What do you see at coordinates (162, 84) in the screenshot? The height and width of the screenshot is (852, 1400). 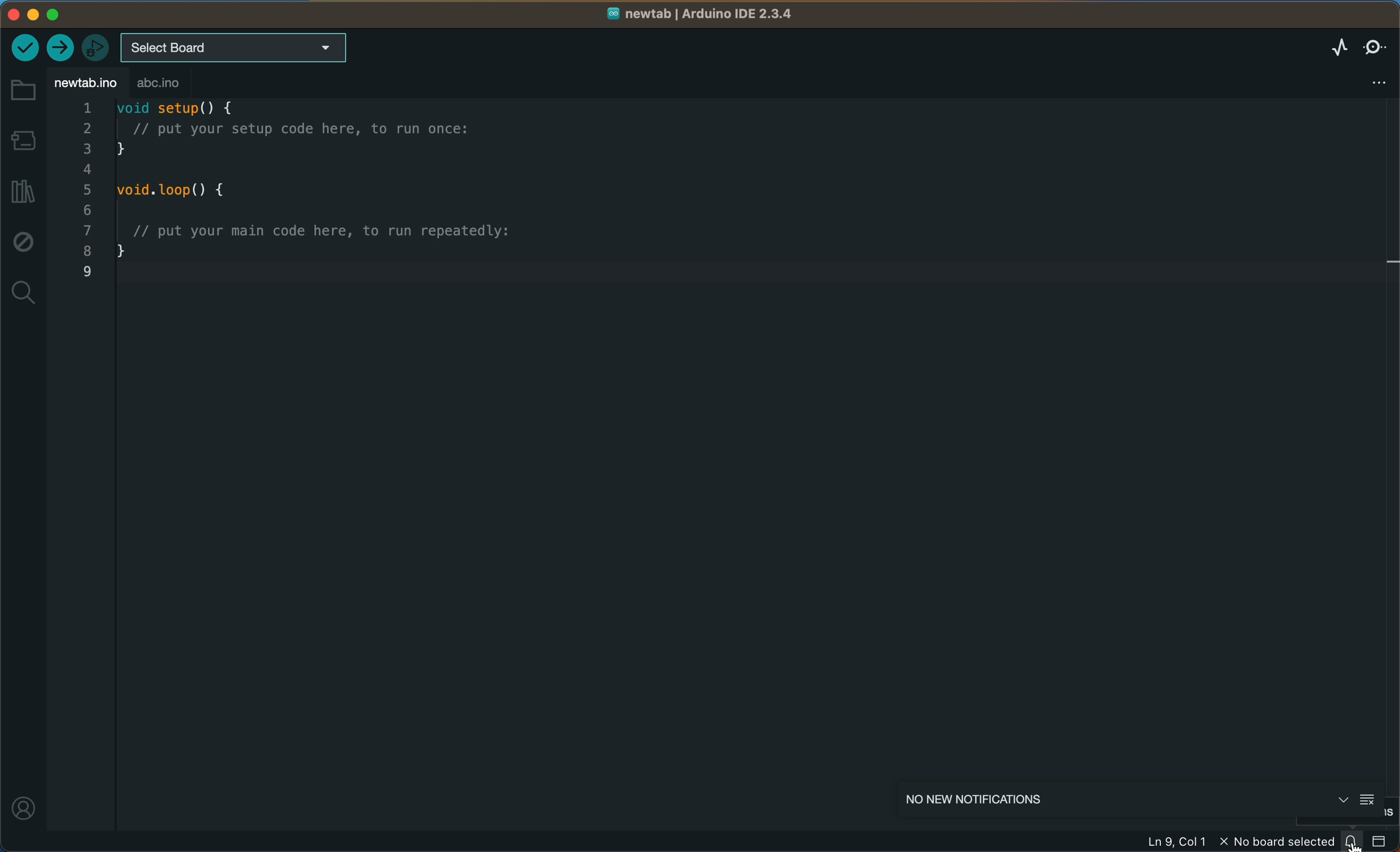 I see `abc ` at bounding box center [162, 84].